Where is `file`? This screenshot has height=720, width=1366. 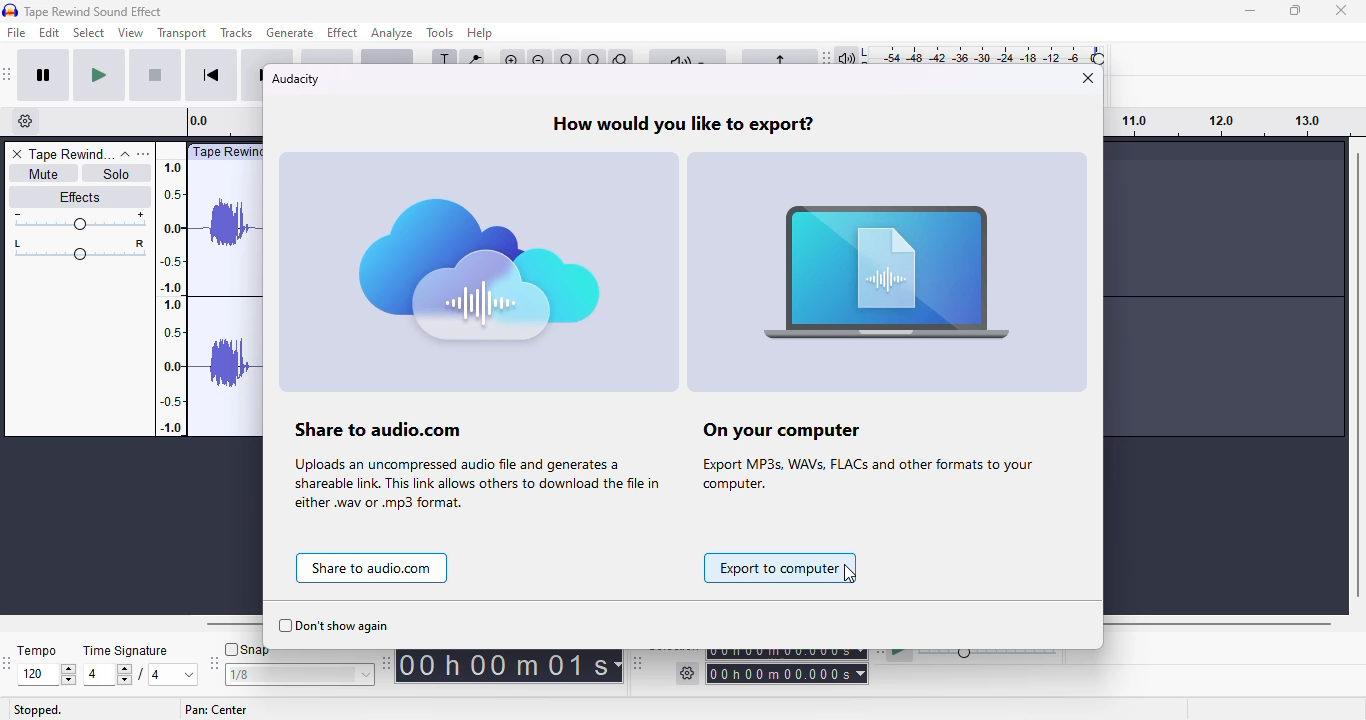
file is located at coordinates (17, 32).